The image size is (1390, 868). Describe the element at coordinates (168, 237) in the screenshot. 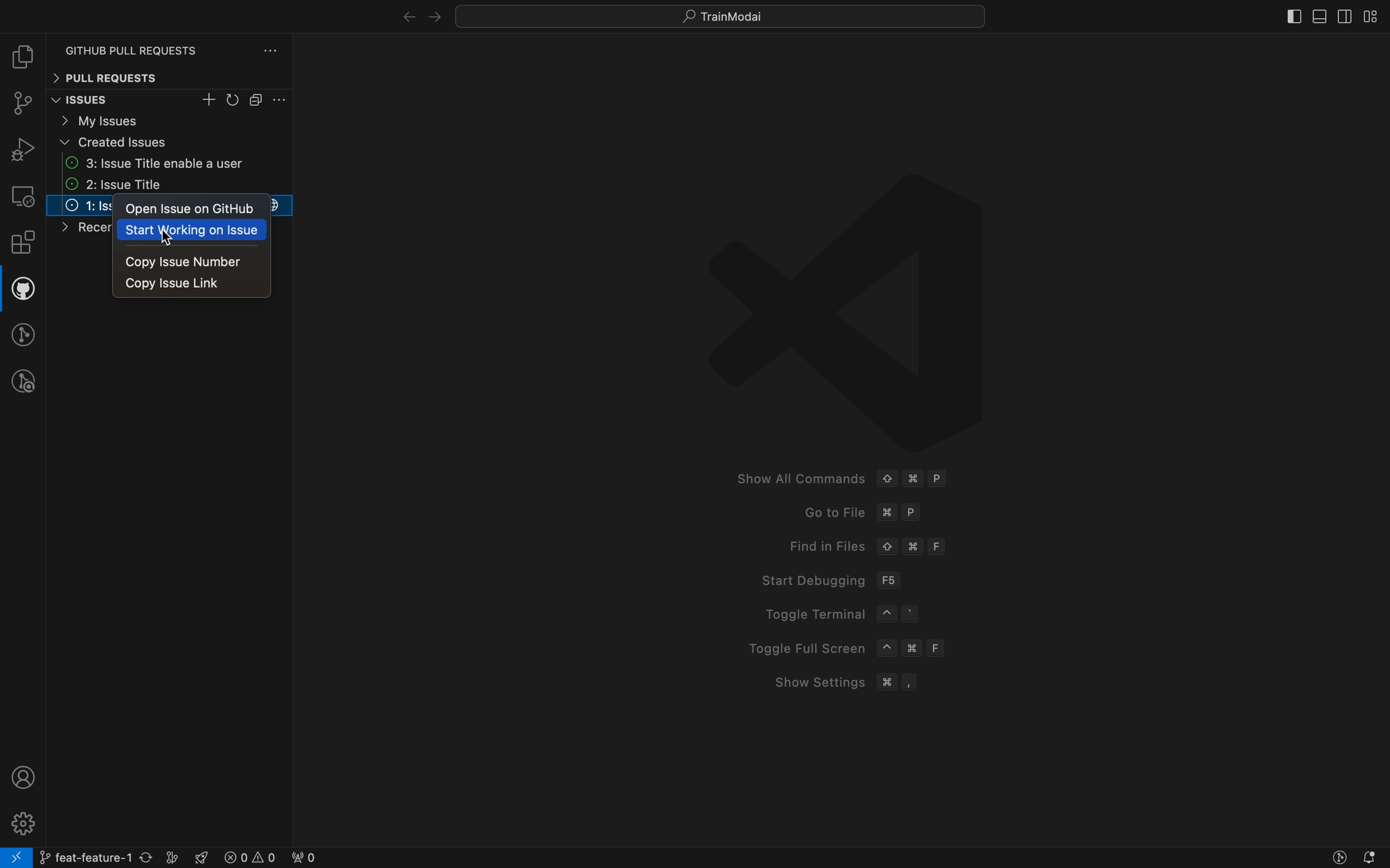

I see `cursor` at that location.